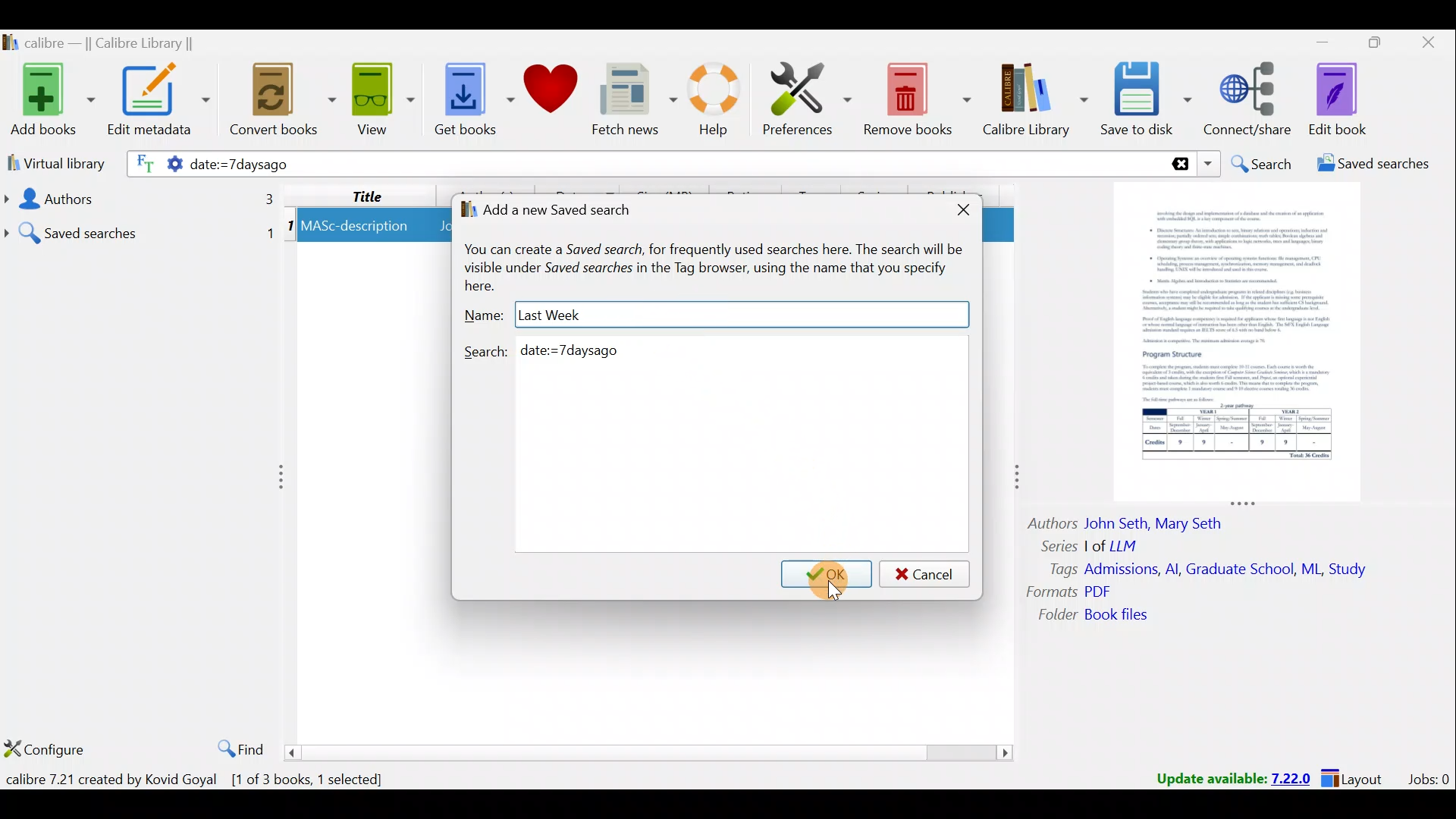 This screenshot has width=1456, height=819. What do you see at coordinates (651, 752) in the screenshot?
I see `Scroll bar` at bounding box center [651, 752].